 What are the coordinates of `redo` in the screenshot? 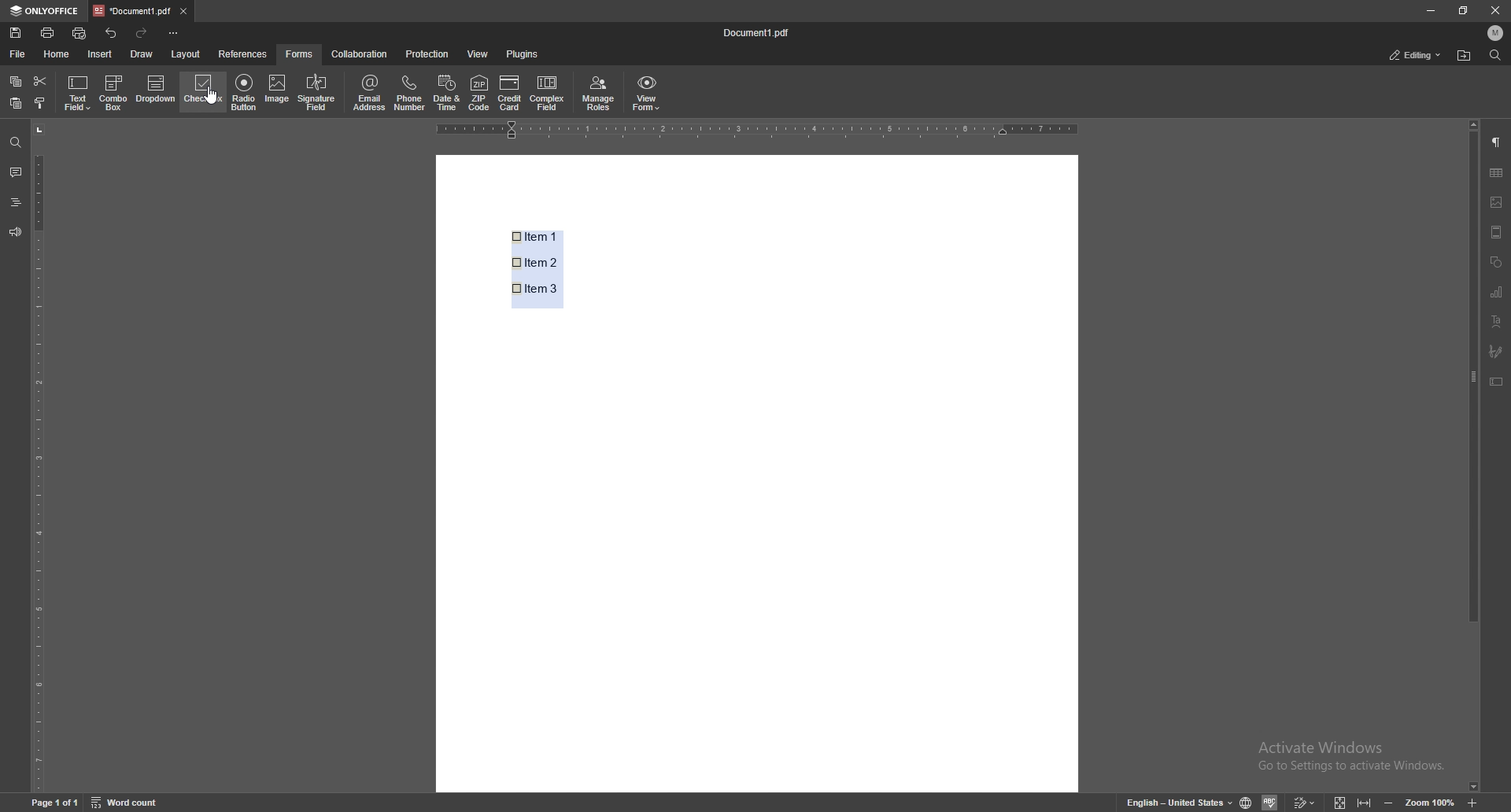 It's located at (142, 33).